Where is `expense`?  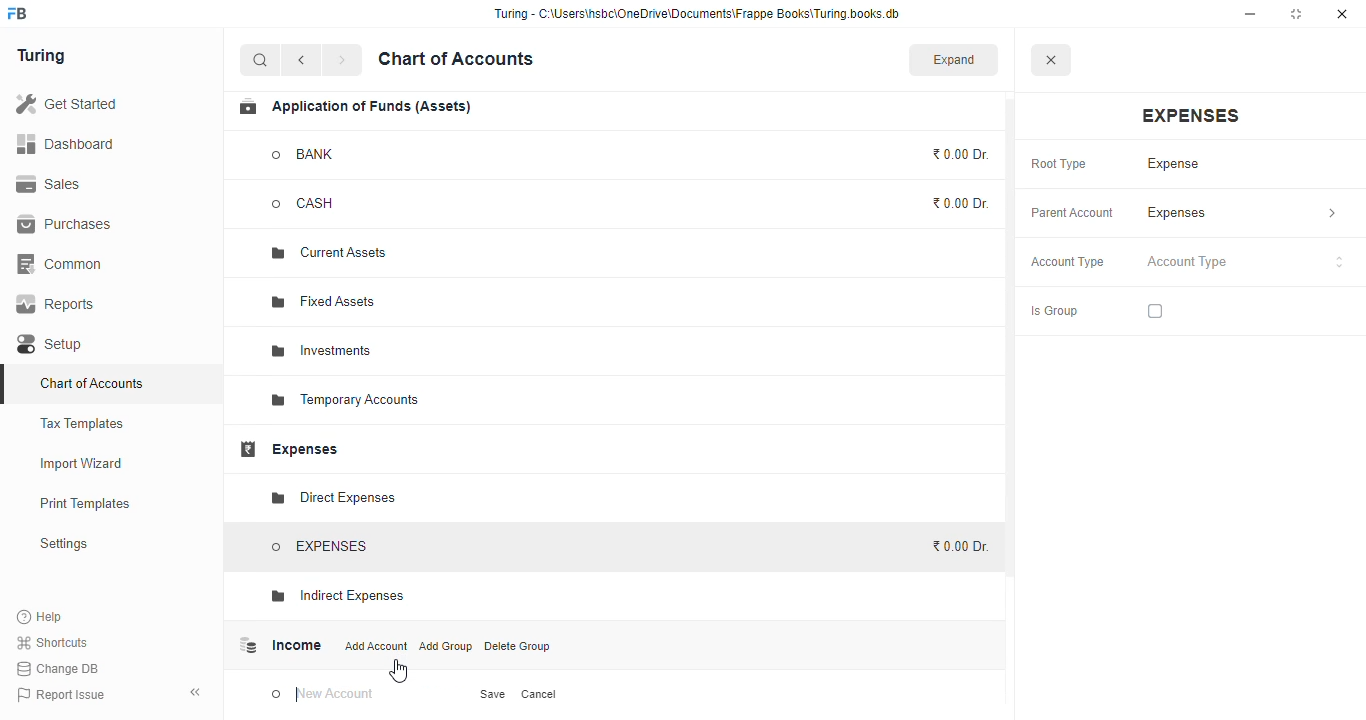 expense is located at coordinates (1174, 164).